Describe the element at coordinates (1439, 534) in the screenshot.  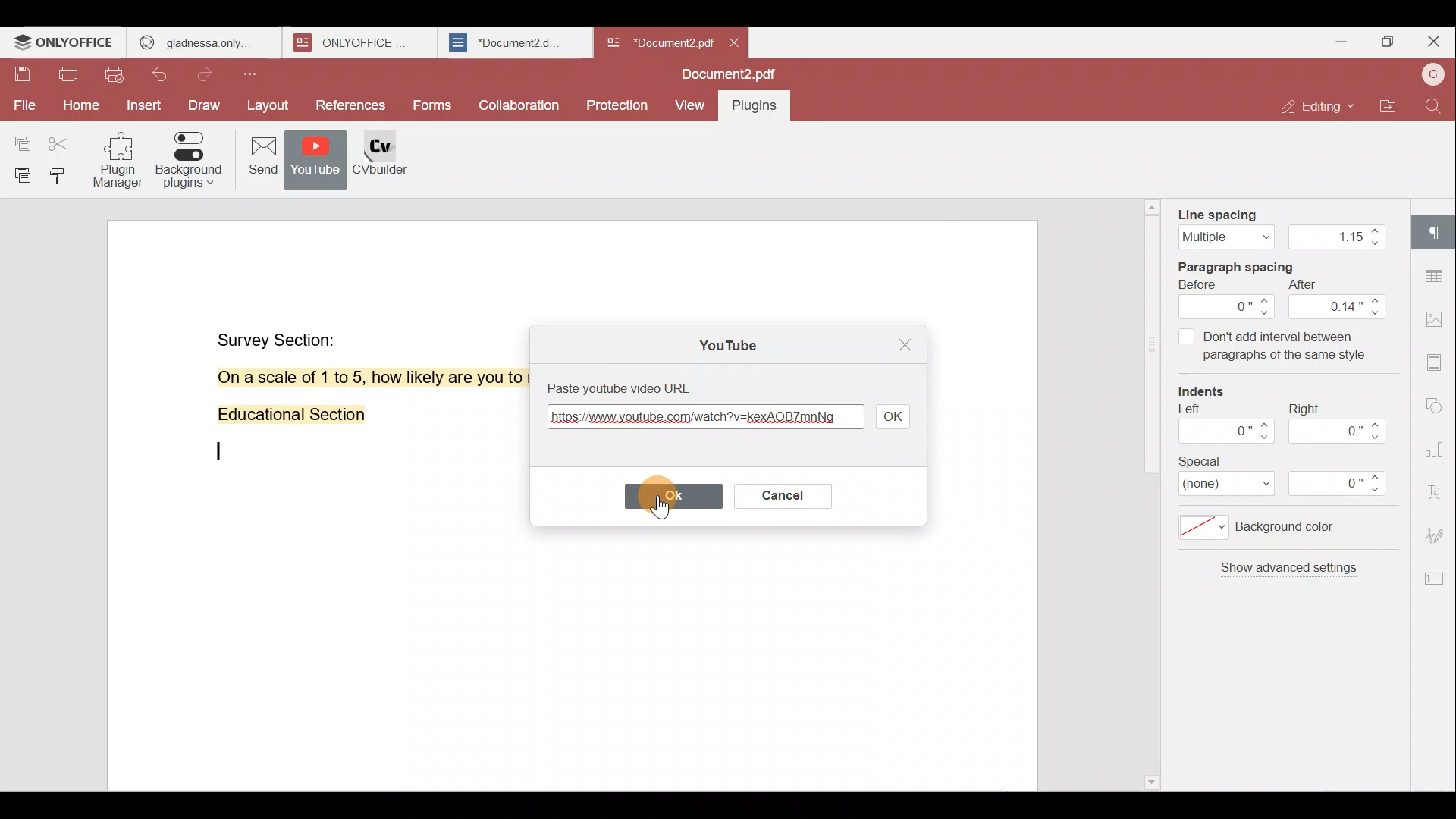
I see `Signature settings` at that location.